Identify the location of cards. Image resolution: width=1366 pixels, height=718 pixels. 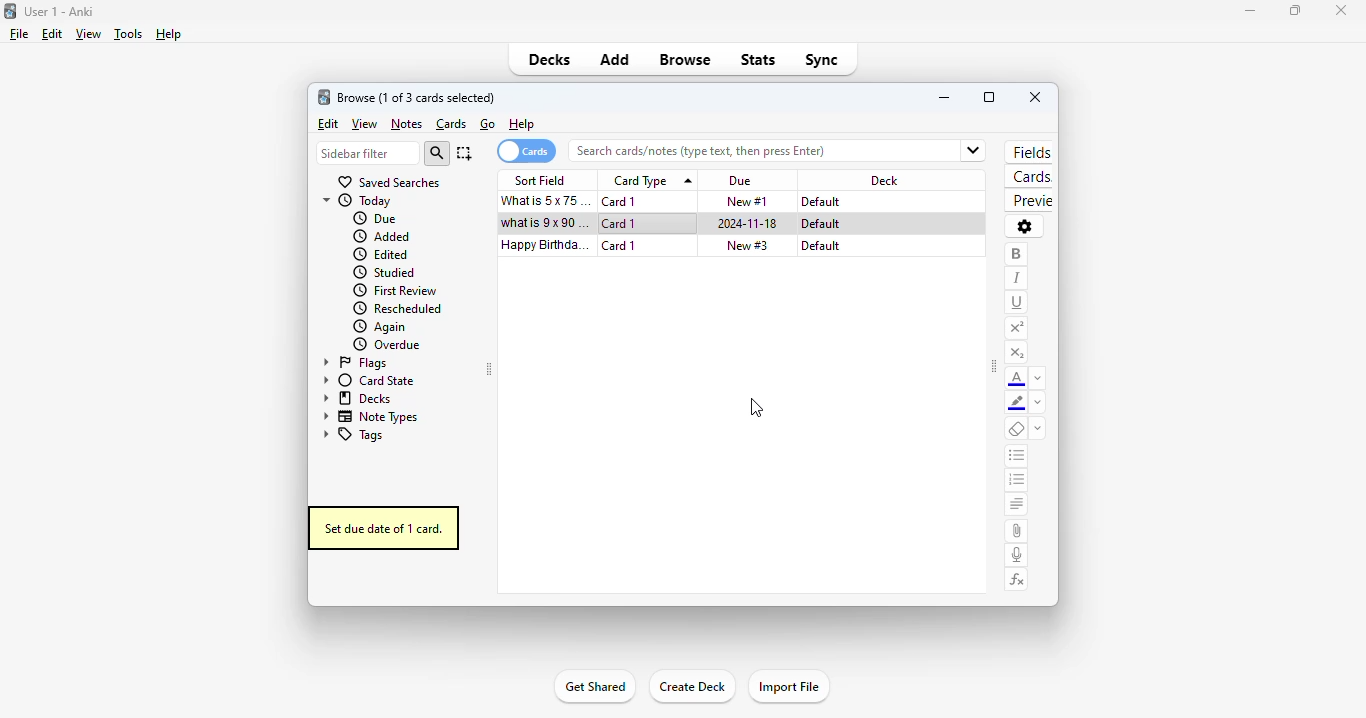
(1030, 176).